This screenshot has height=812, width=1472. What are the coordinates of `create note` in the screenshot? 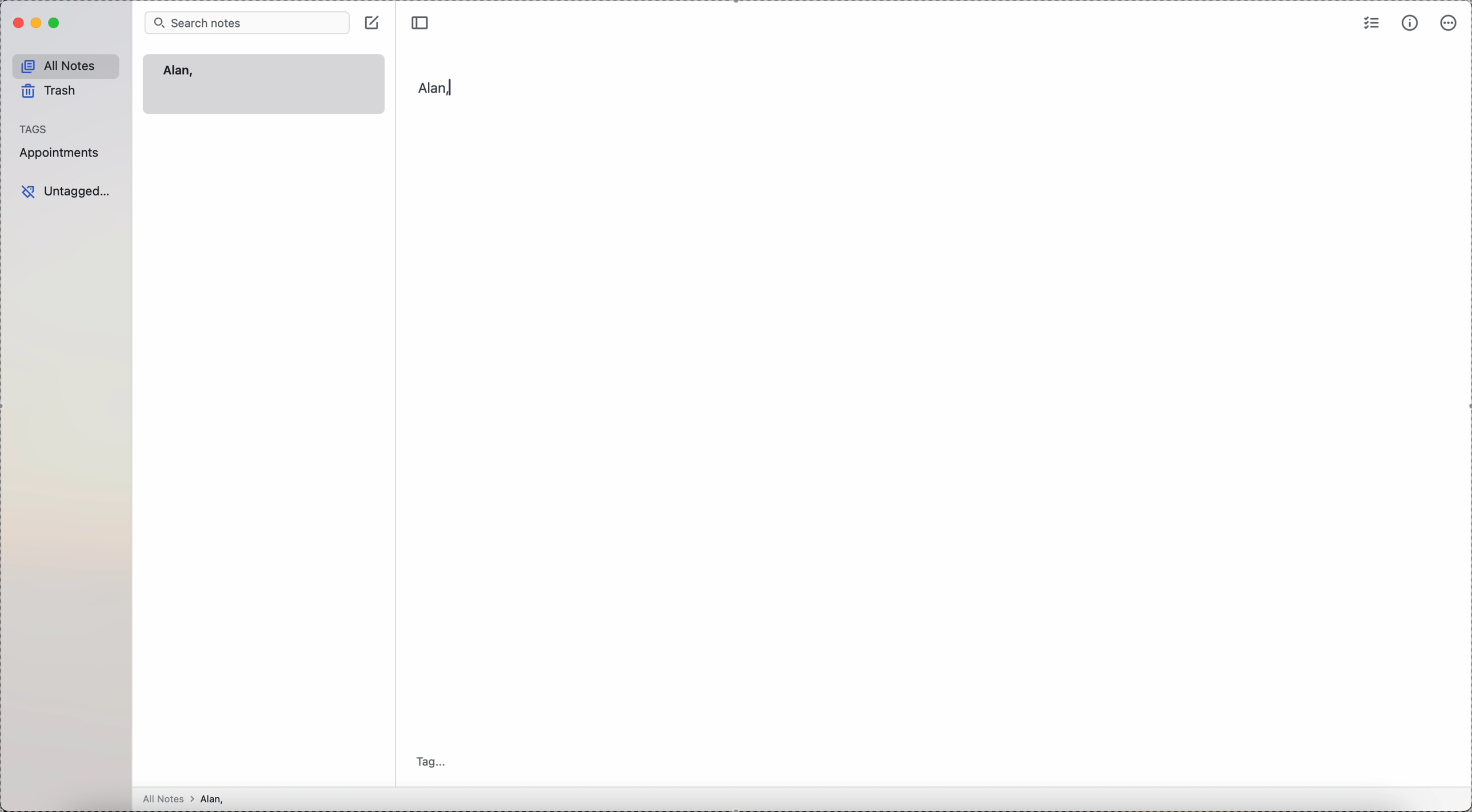 It's located at (374, 22).